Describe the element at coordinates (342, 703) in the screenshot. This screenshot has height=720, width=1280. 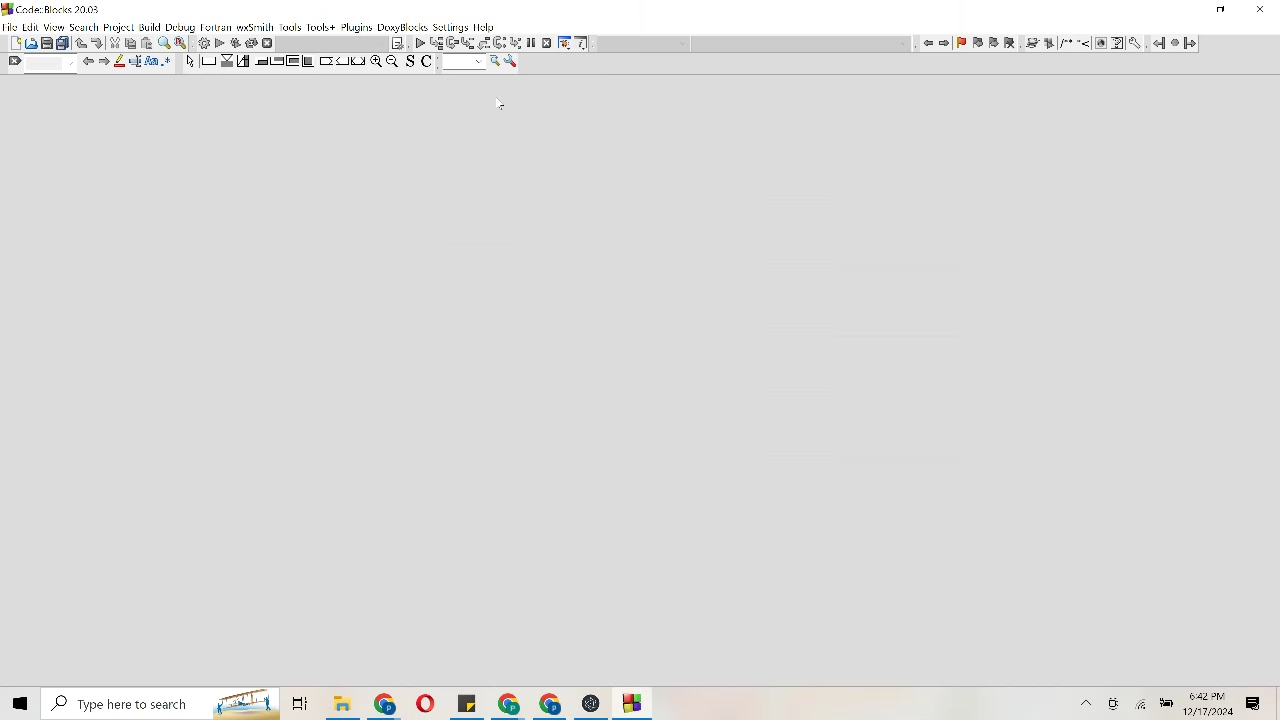
I see `File` at that location.